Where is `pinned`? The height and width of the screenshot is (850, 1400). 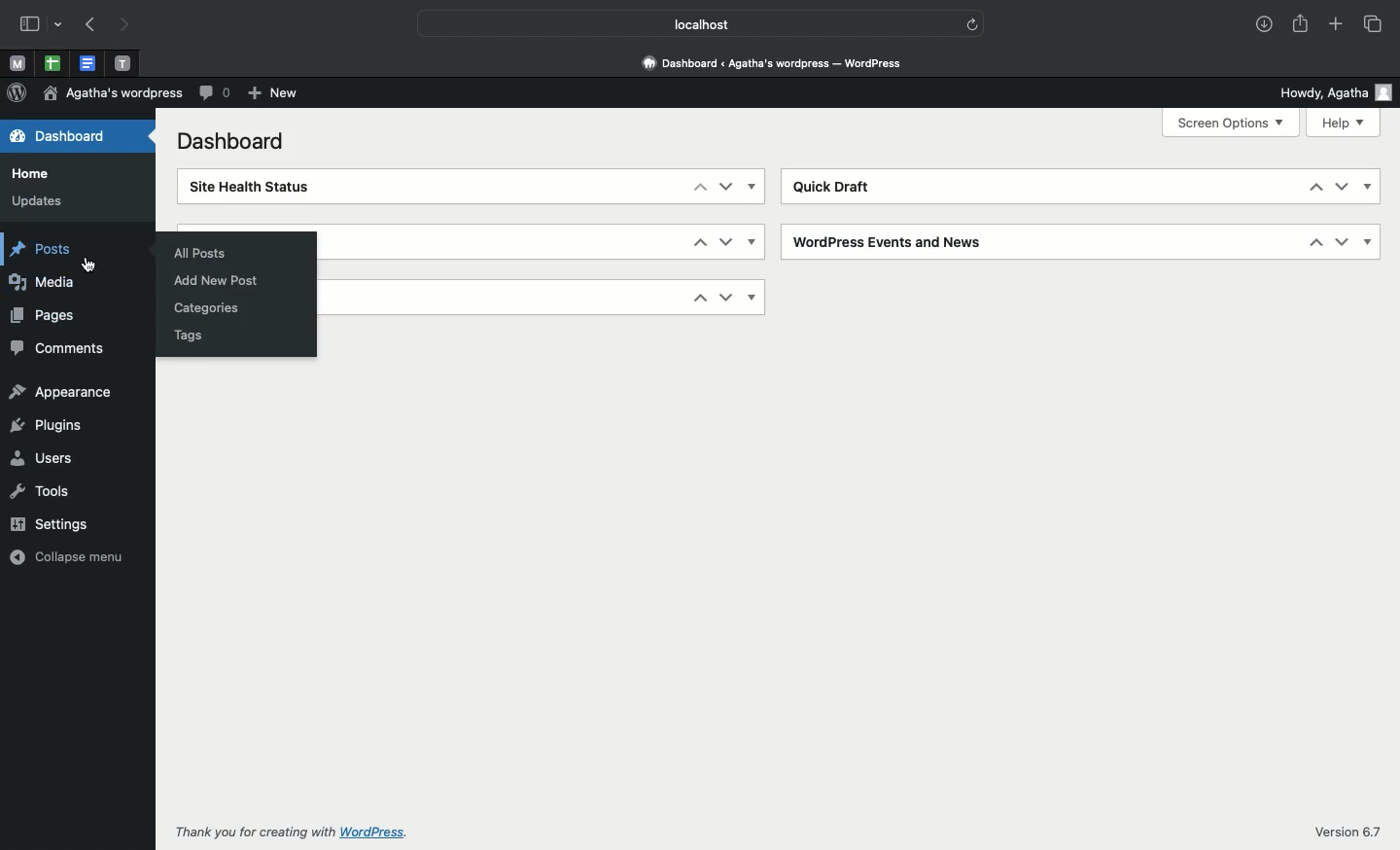 pinned is located at coordinates (55, 64).